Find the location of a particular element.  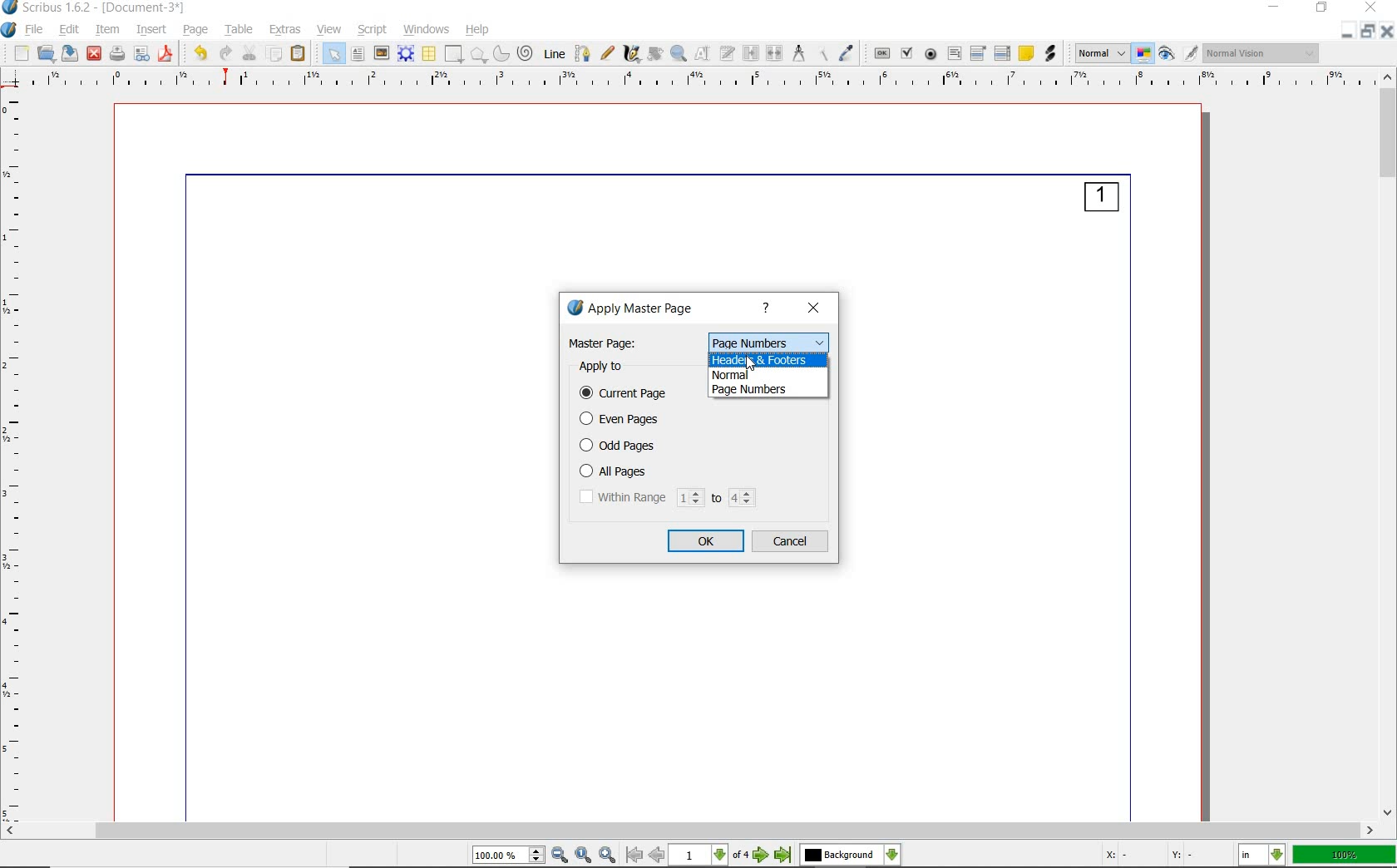

preflight verifier is located at coordinates (143, 54).